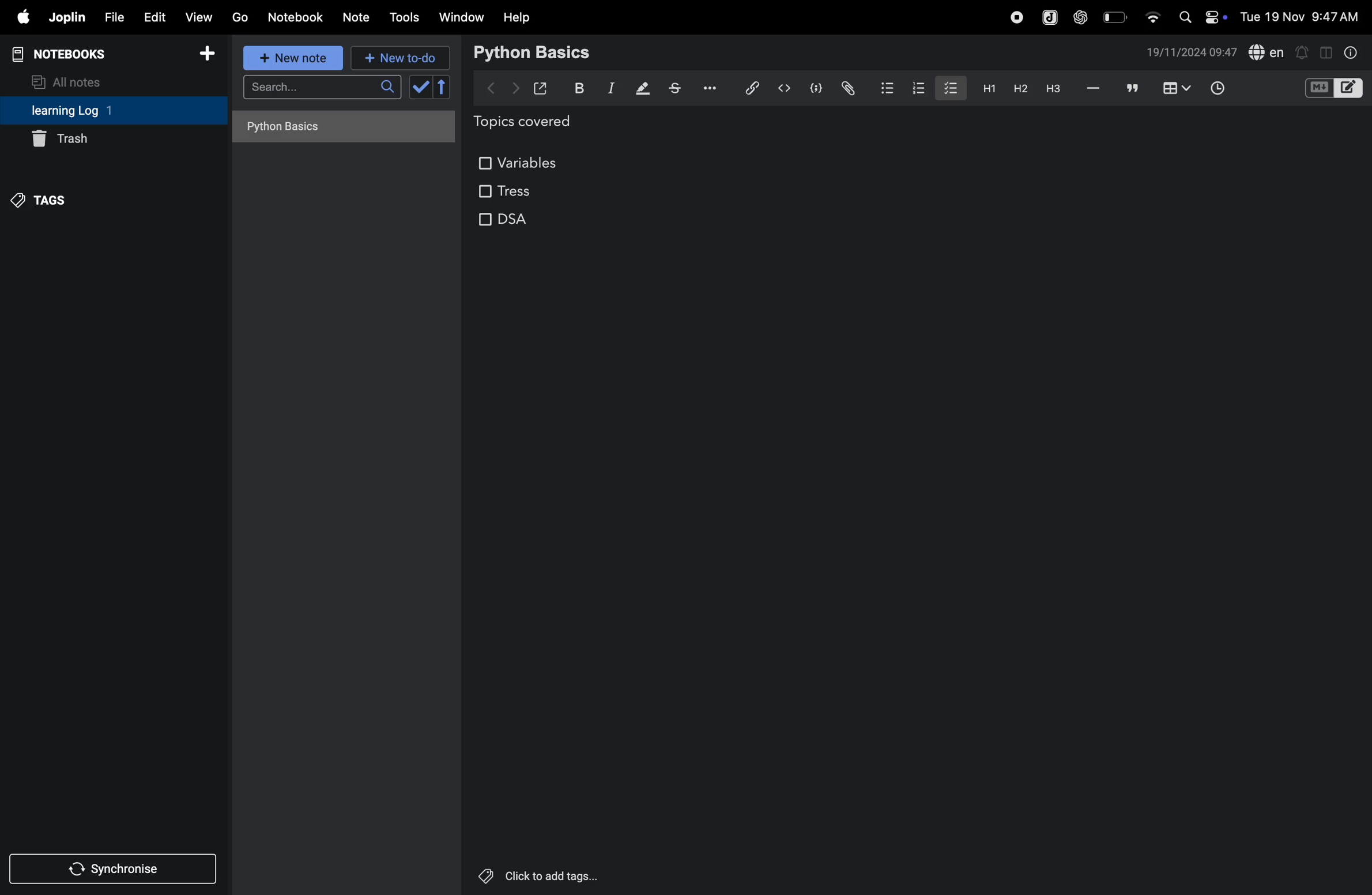 The height and width of the screenshot is (895, 1372). Describe the element at coordinates (97, 141) in the screenshot. I see `trash` at that location.